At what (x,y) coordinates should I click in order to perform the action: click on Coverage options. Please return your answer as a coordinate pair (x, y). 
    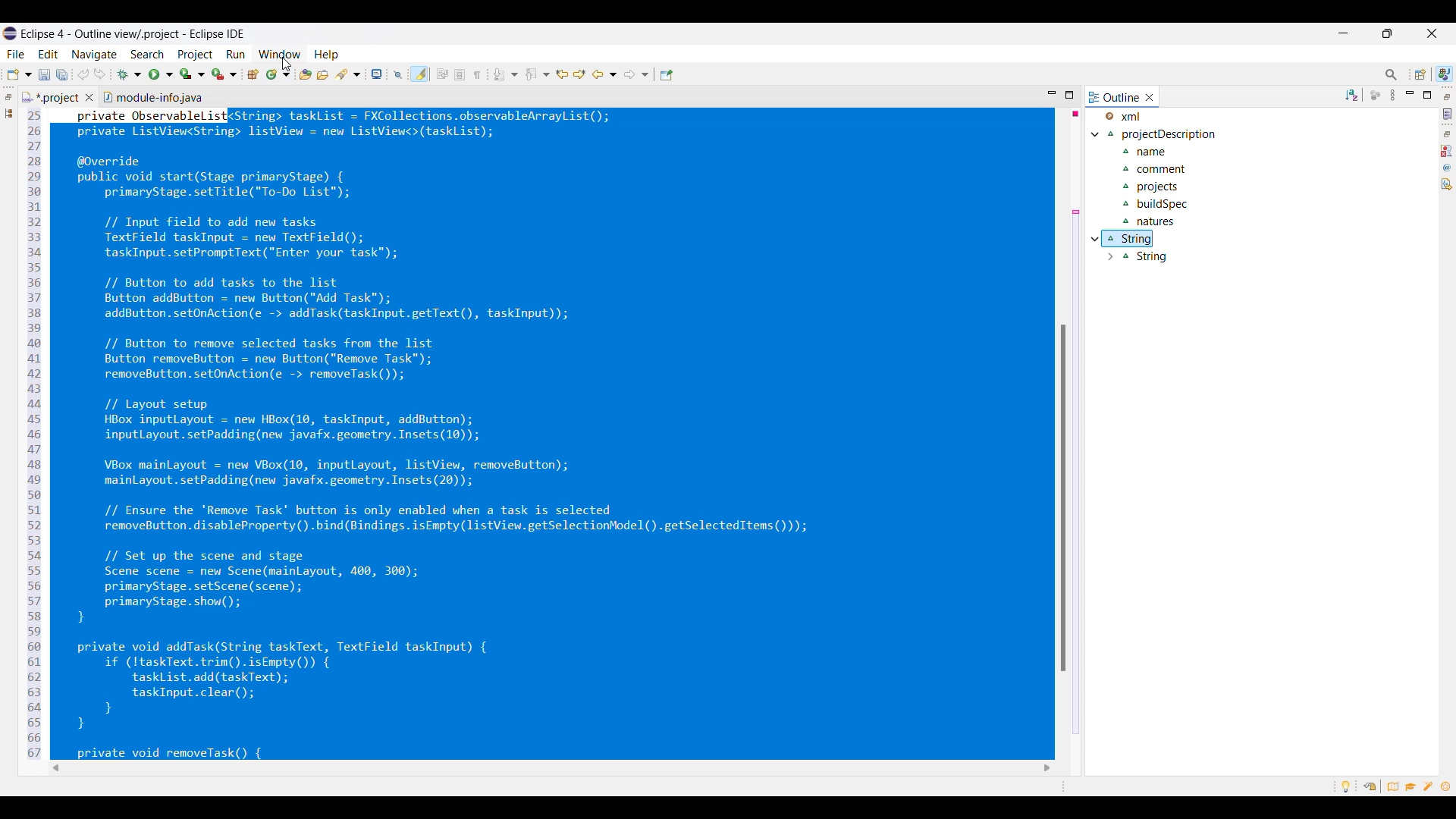
    Looking at the image, I should click on (192, 74).